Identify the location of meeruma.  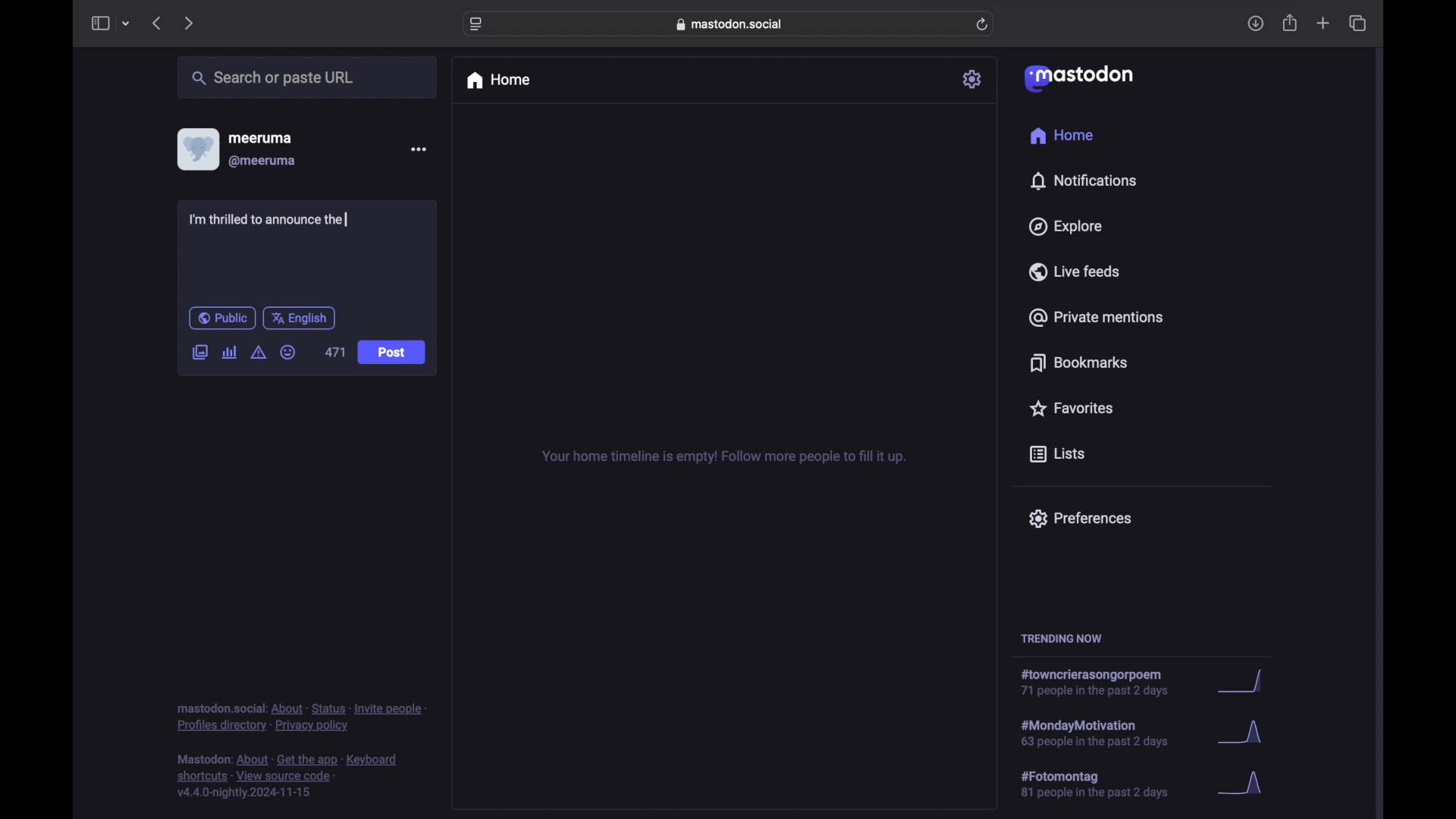
(260, 138).